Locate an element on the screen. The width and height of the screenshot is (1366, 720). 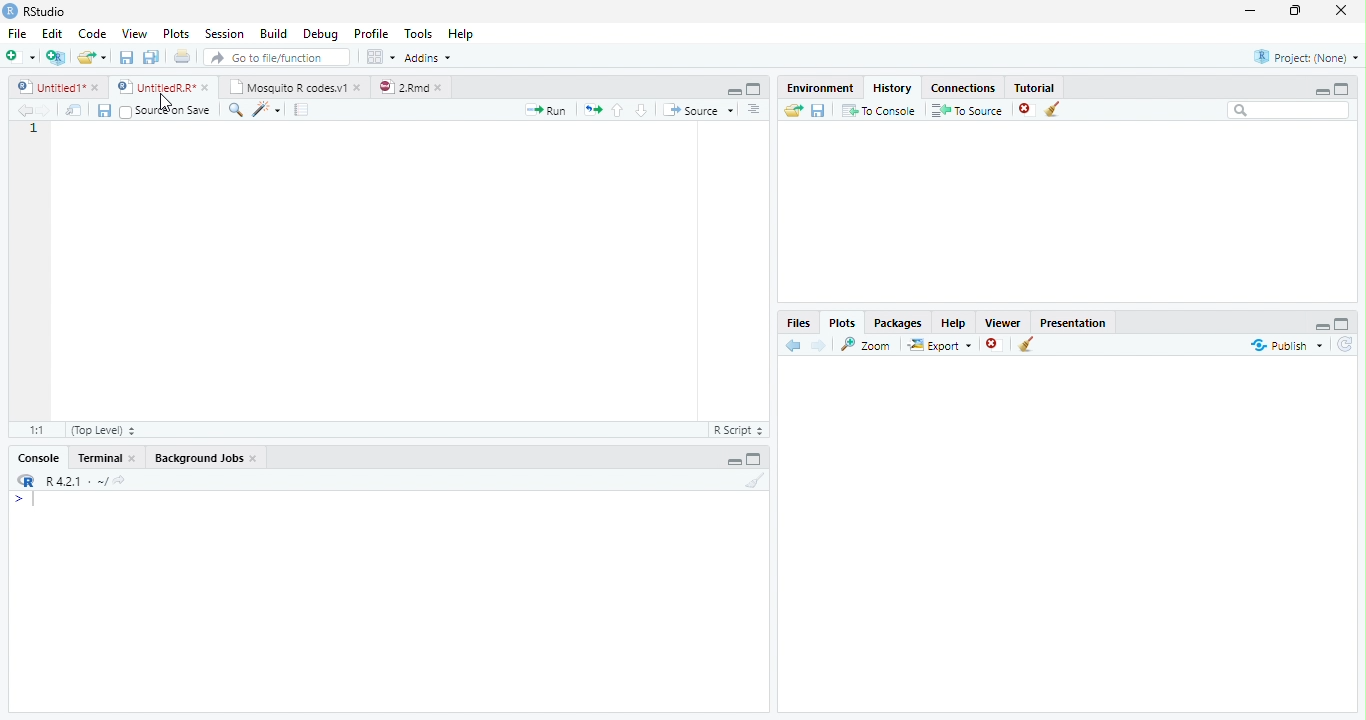
Terminal is located at coordinates (109, 457).